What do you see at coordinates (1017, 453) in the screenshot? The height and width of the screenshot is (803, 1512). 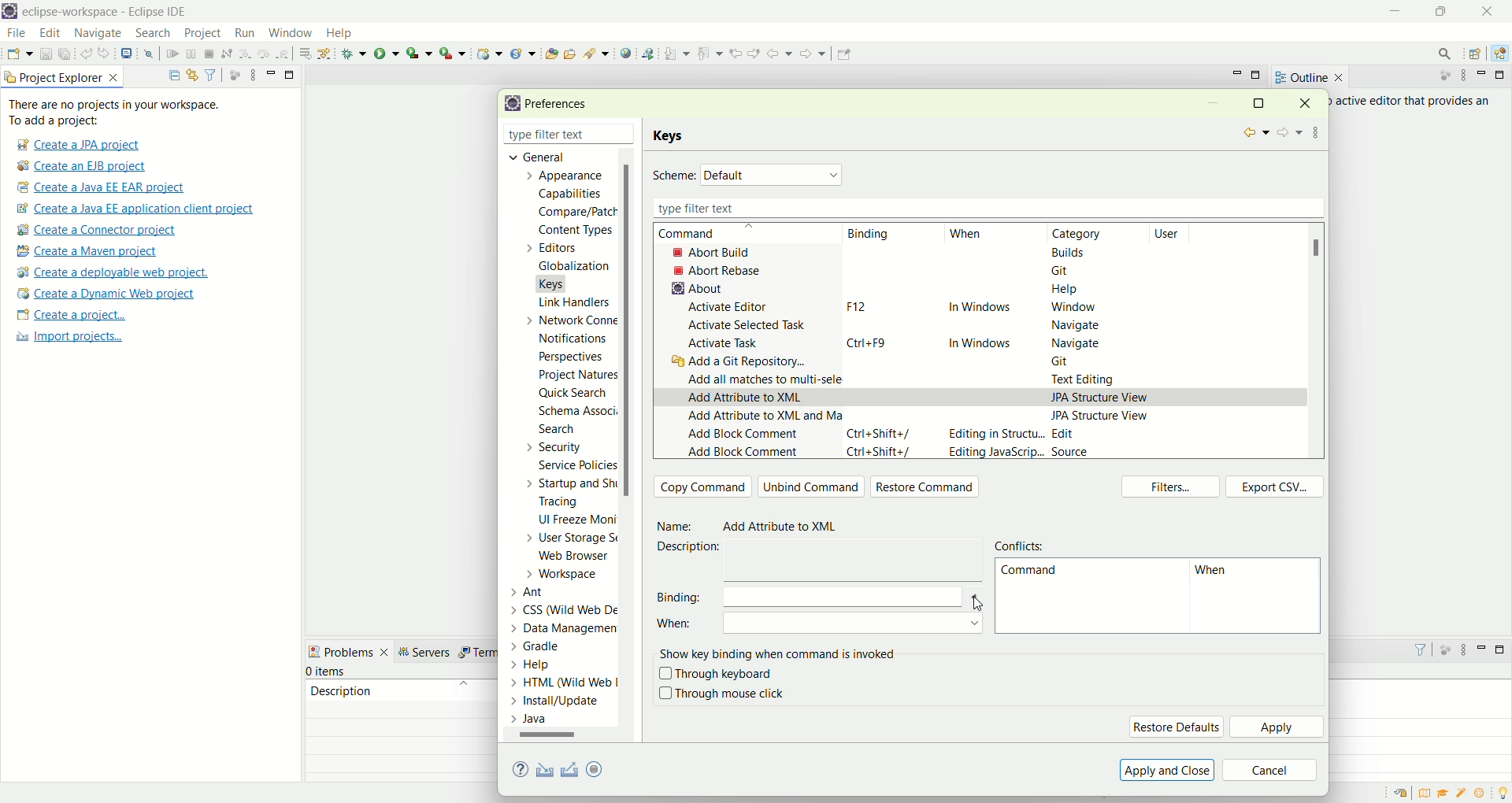 I see `editing javascript...Source` at bounding box center [1017, 453].